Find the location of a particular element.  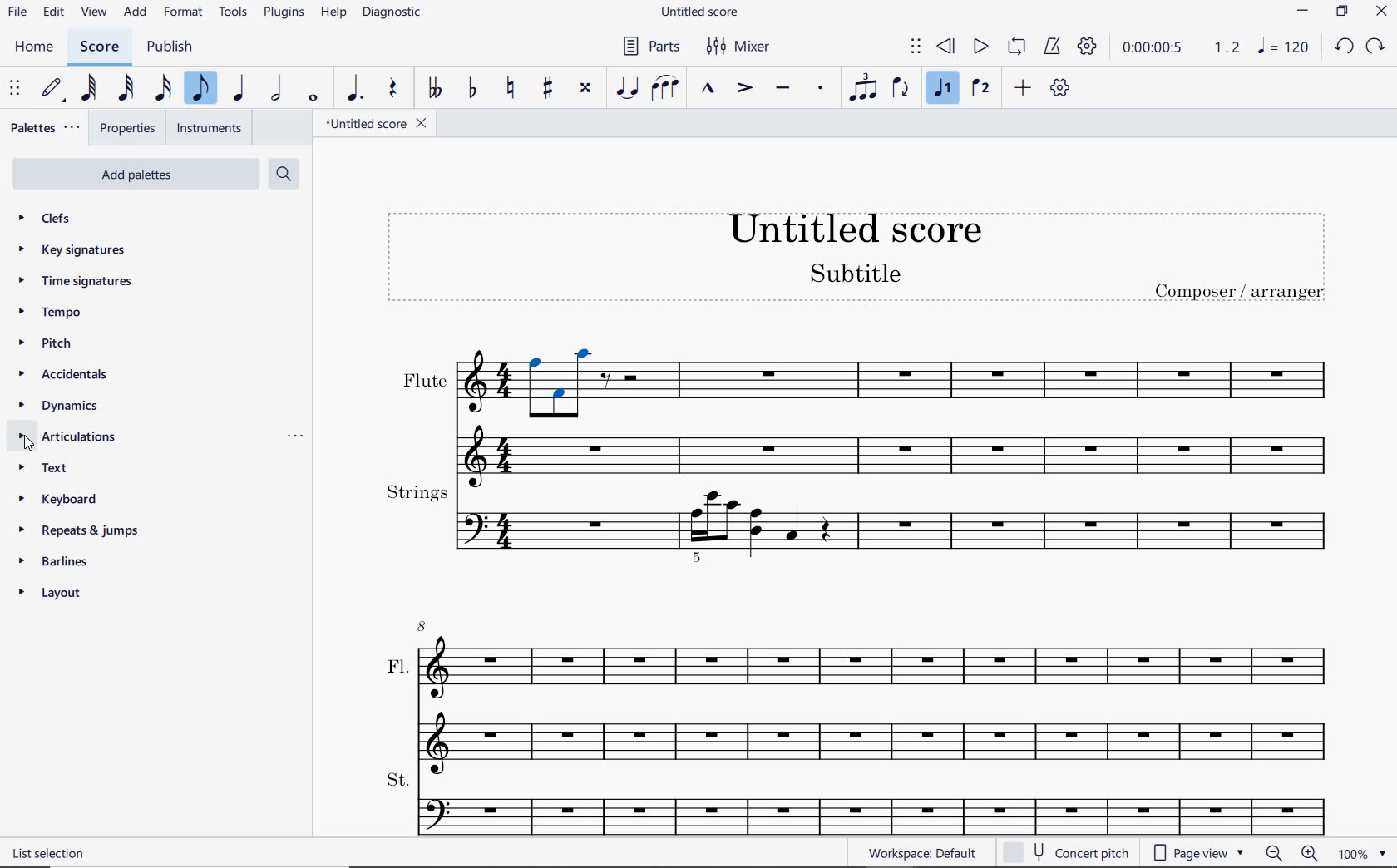

PARTS is located at coordinates (650, 47).